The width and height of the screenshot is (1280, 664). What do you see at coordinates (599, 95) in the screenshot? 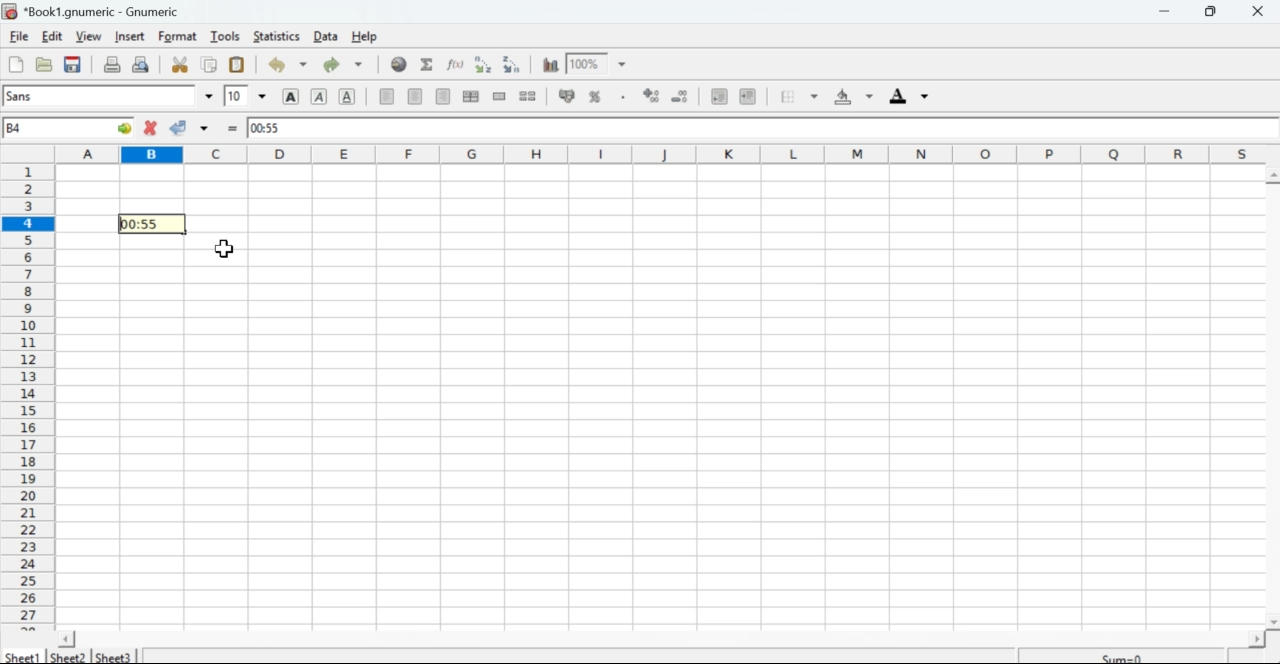
I see `Percentage` at bounding box center [599, 95].